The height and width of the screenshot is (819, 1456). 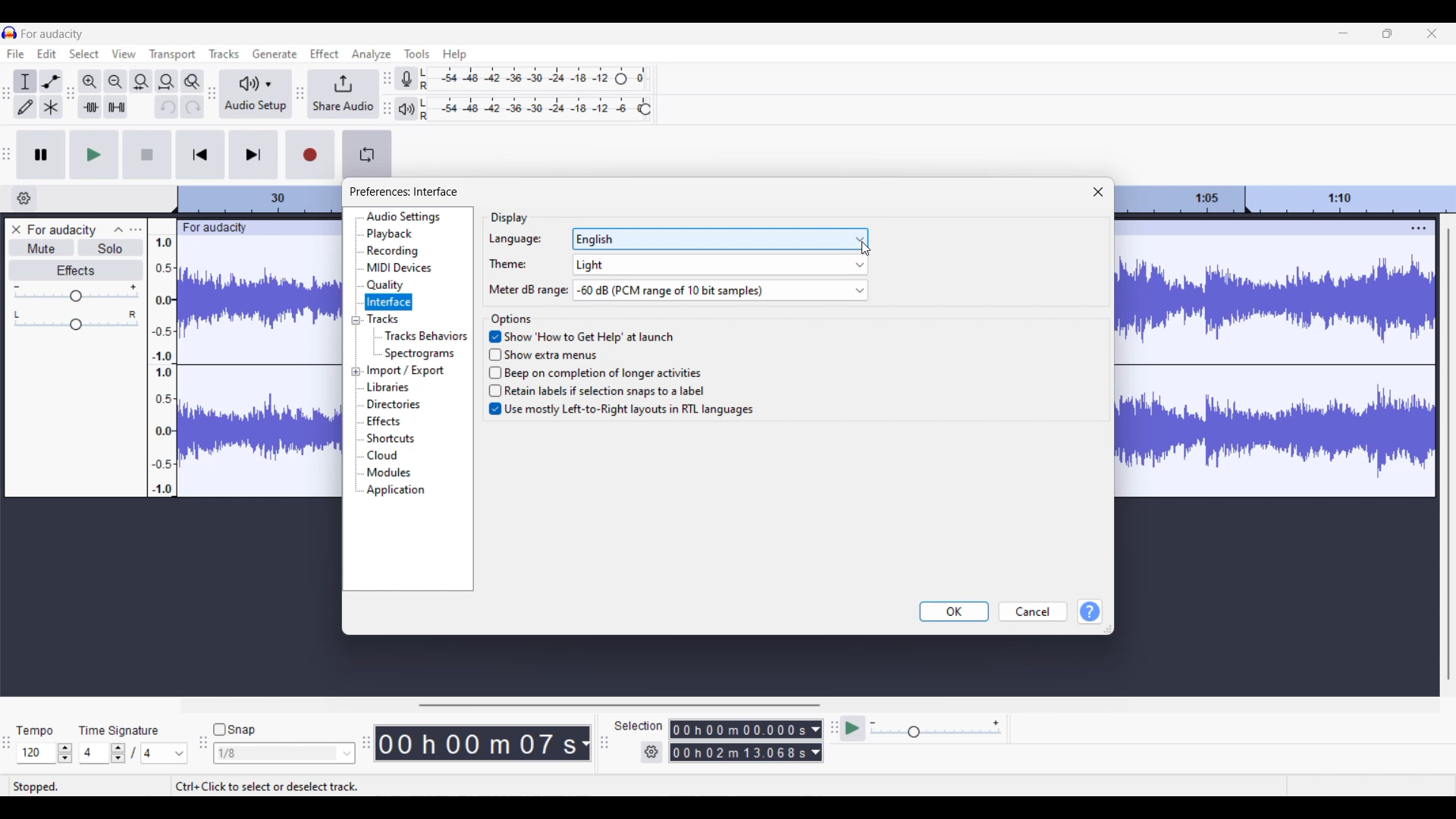 I want to click on Show extra menus, so click(x=557, y=353).